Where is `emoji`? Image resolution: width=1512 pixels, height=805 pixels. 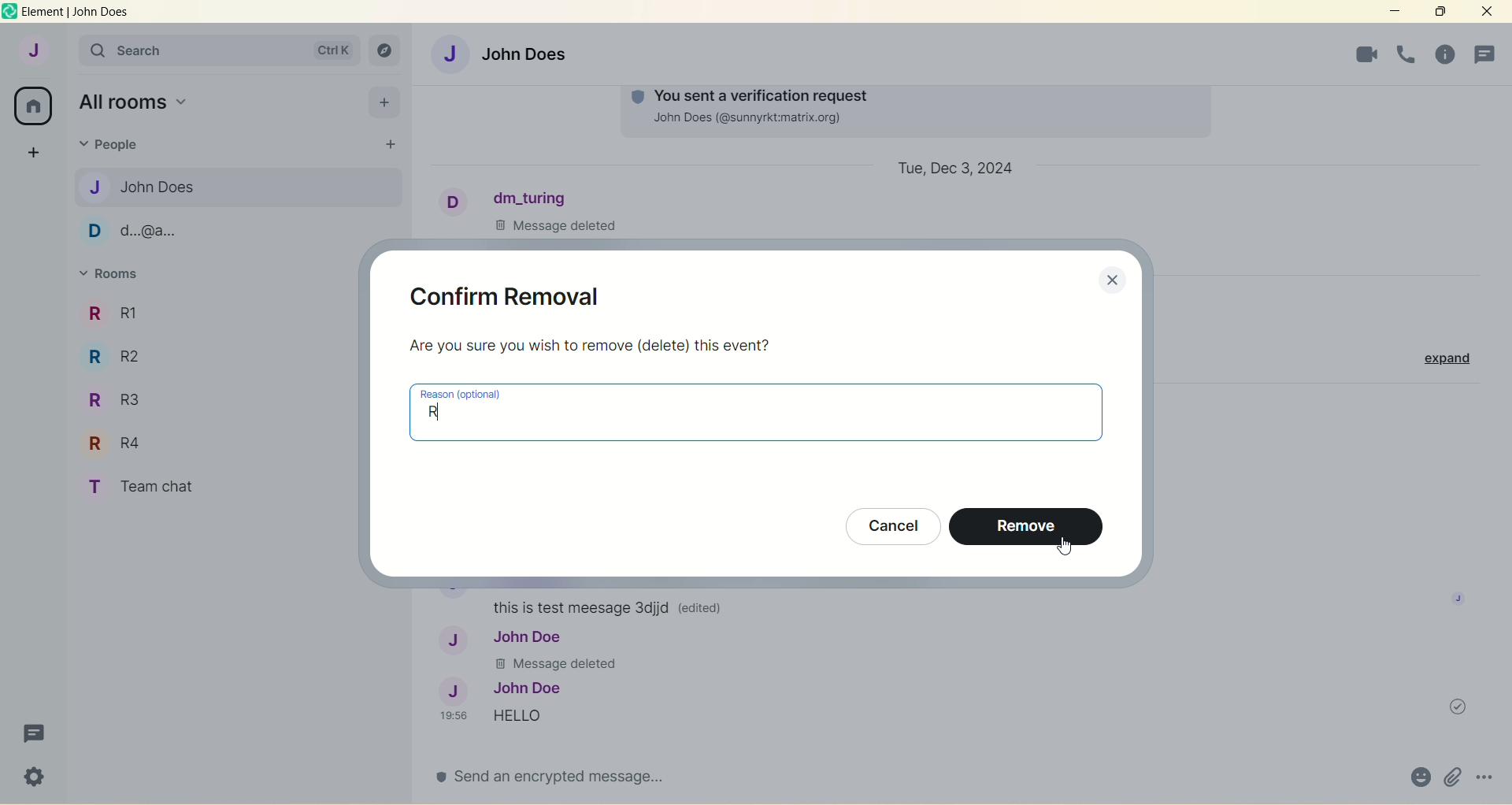 emoji is located at coordinates (1414, 777).